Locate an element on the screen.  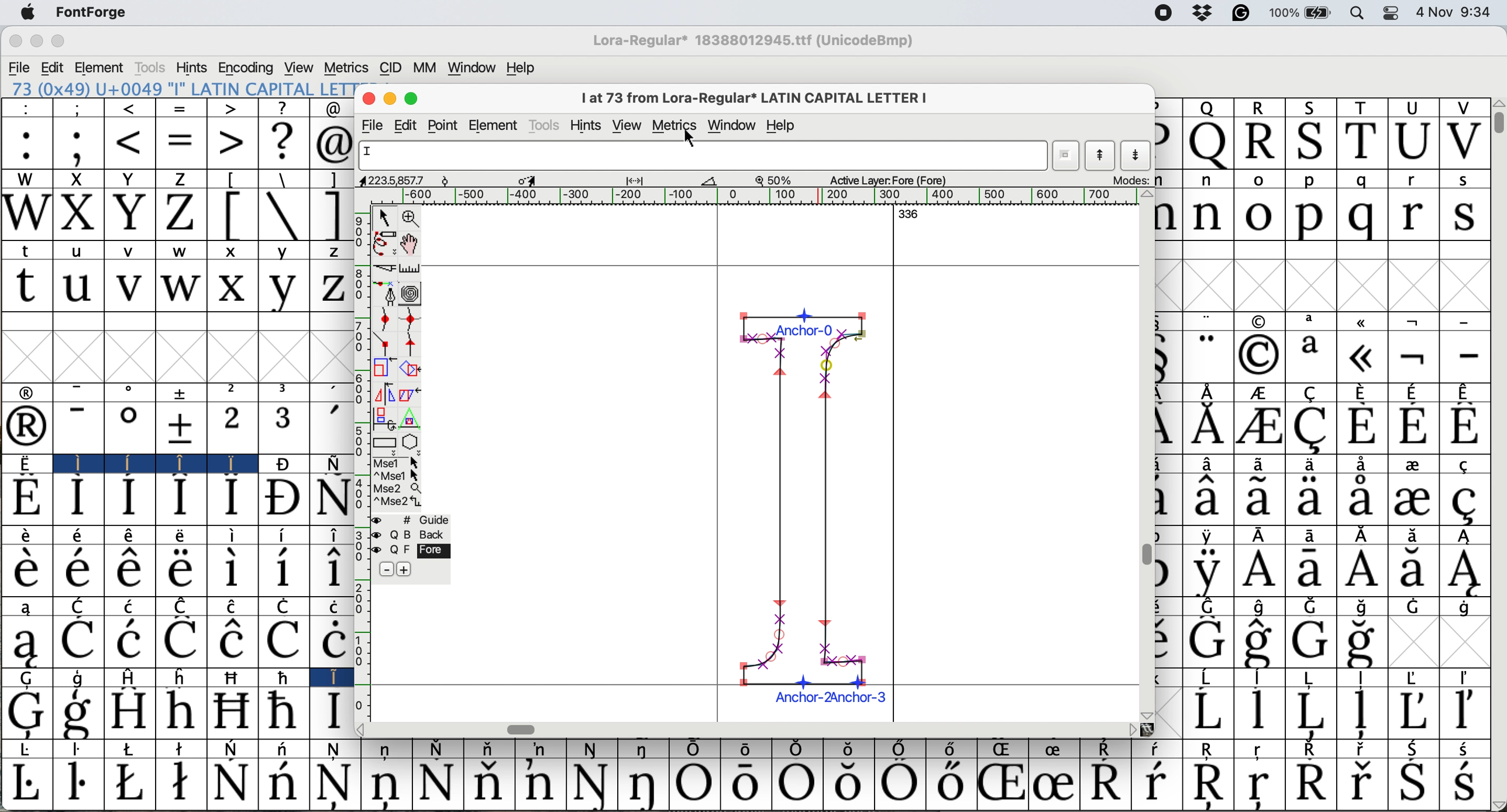
] is located at coordinates (333, 180).